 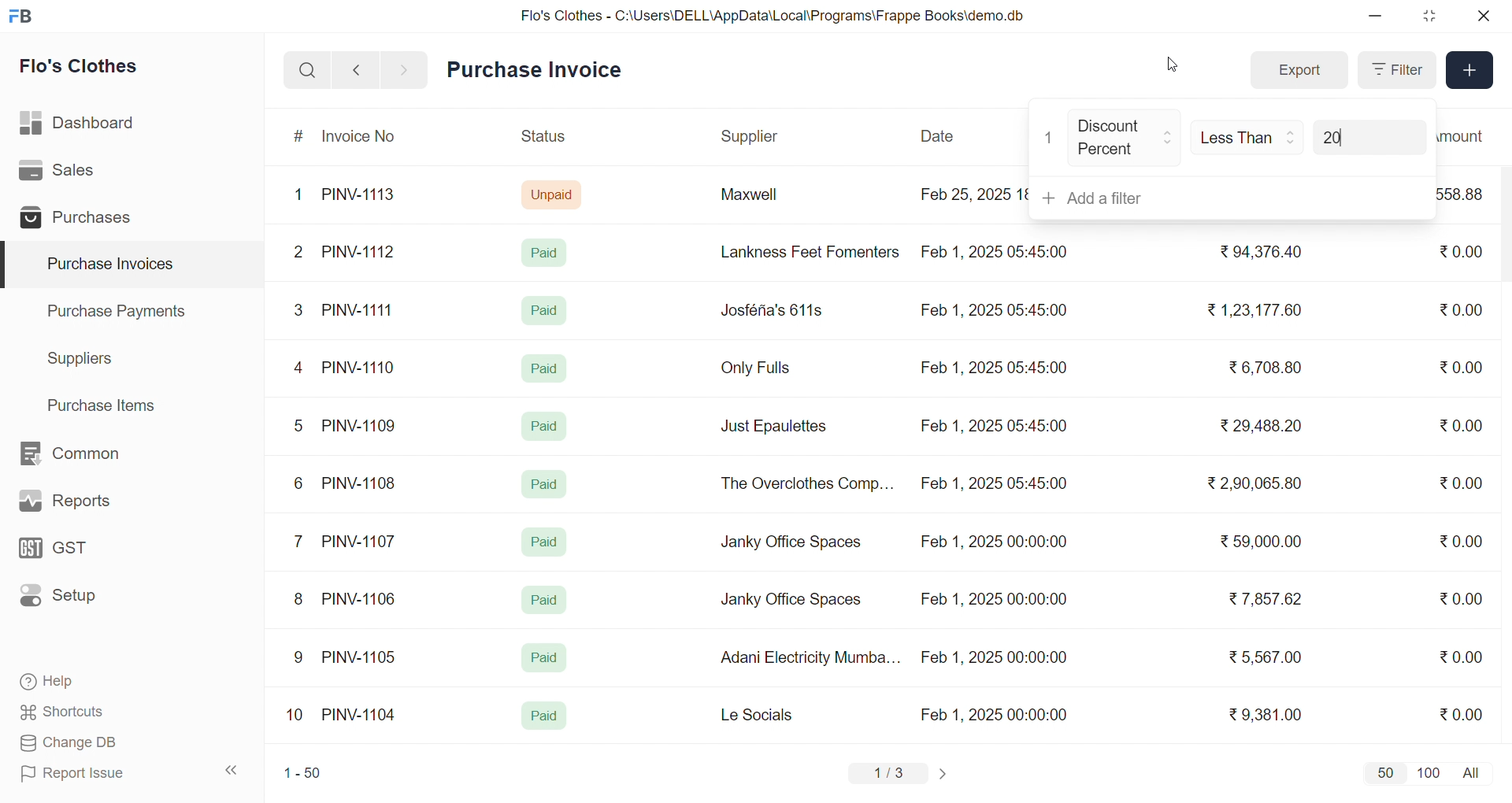 I want to click on Feb 1, 2025 05:45:00, so click(x=998, y=250).